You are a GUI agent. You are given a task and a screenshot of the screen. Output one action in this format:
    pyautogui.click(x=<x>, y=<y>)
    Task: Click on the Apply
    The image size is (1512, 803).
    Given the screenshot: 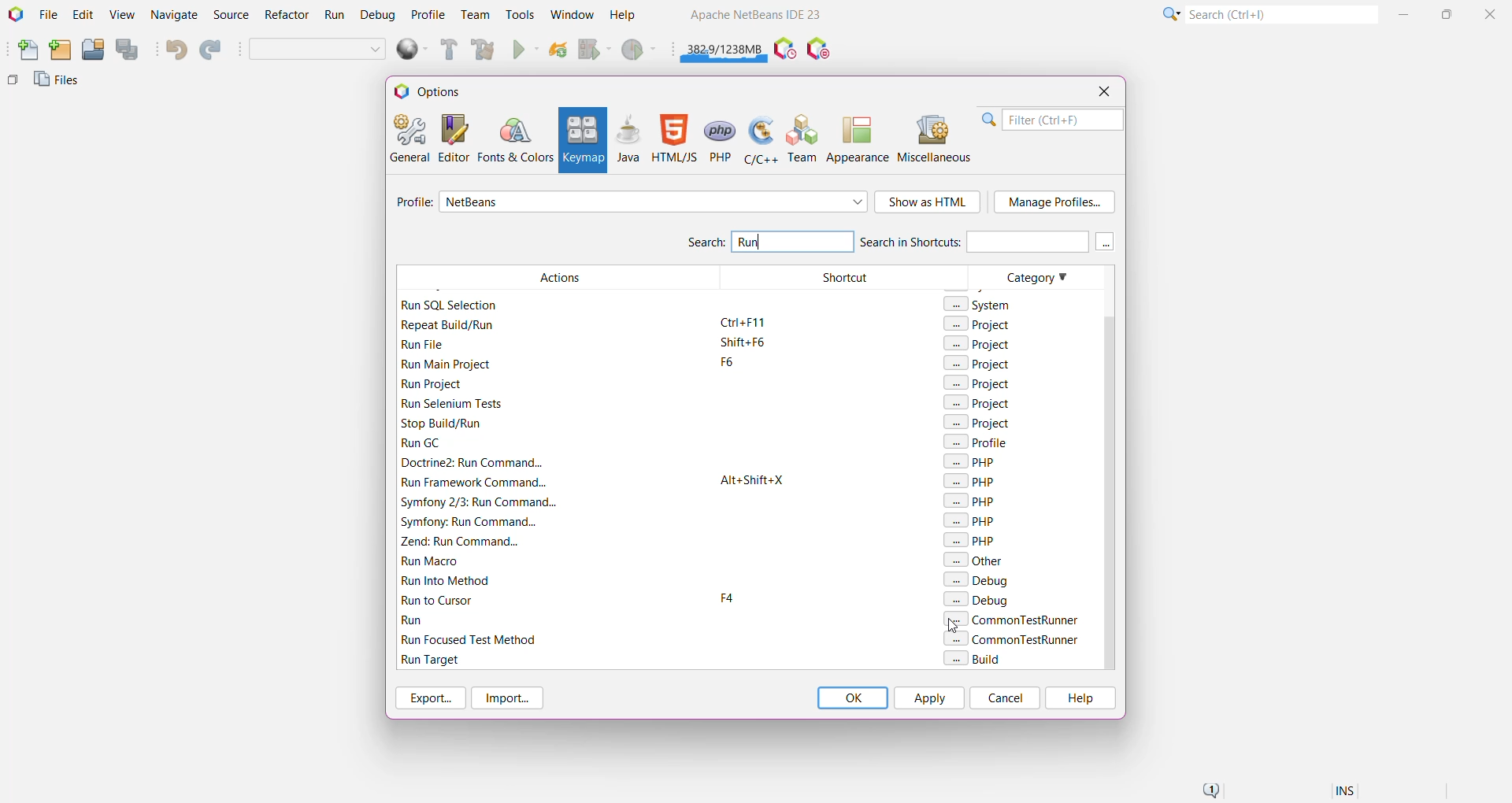 What is the action you would take?
    pyautogui.click(x=928, y=698)
    